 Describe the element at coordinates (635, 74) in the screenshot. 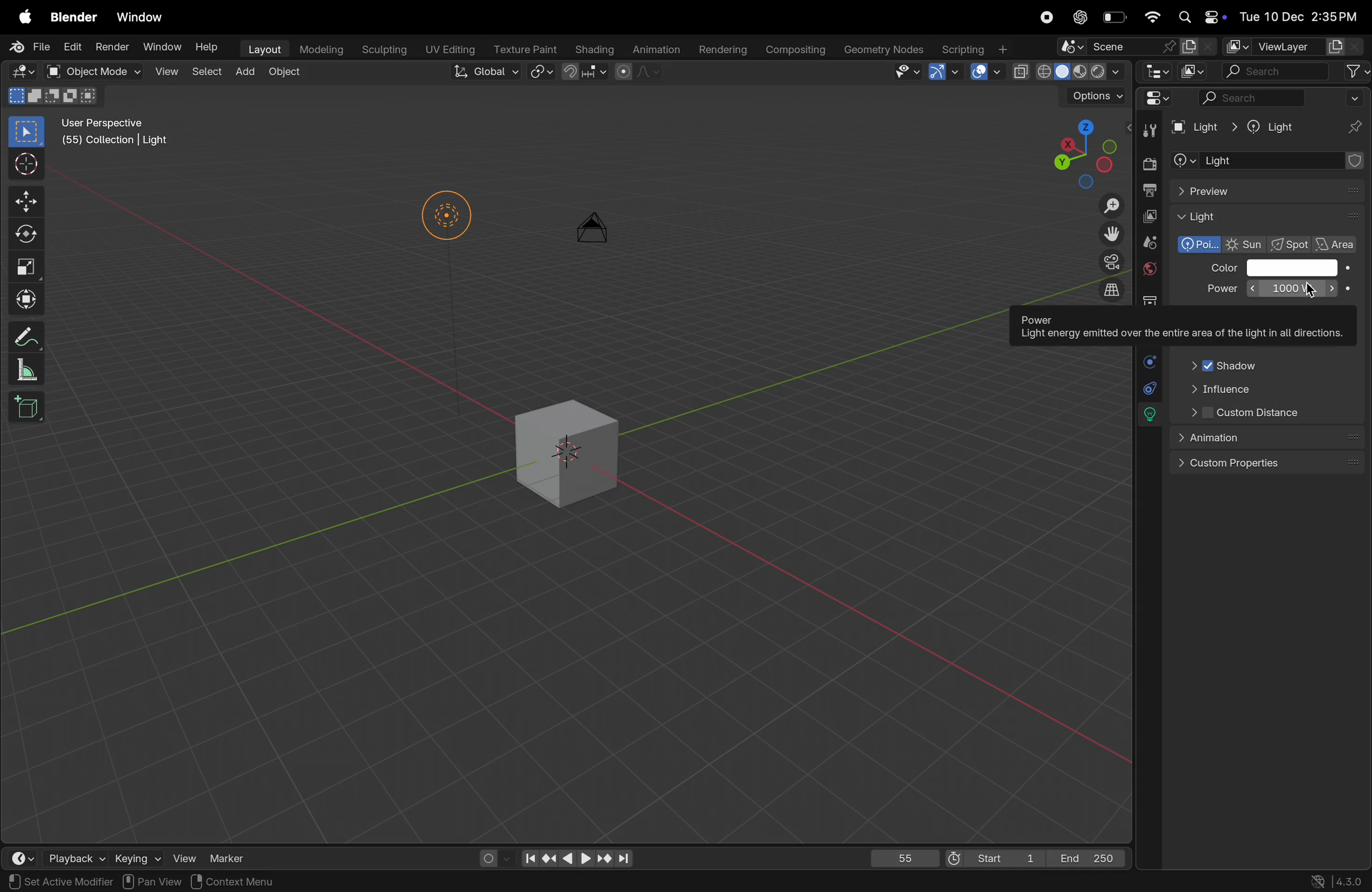

I see `proportional editing objects` at that location.